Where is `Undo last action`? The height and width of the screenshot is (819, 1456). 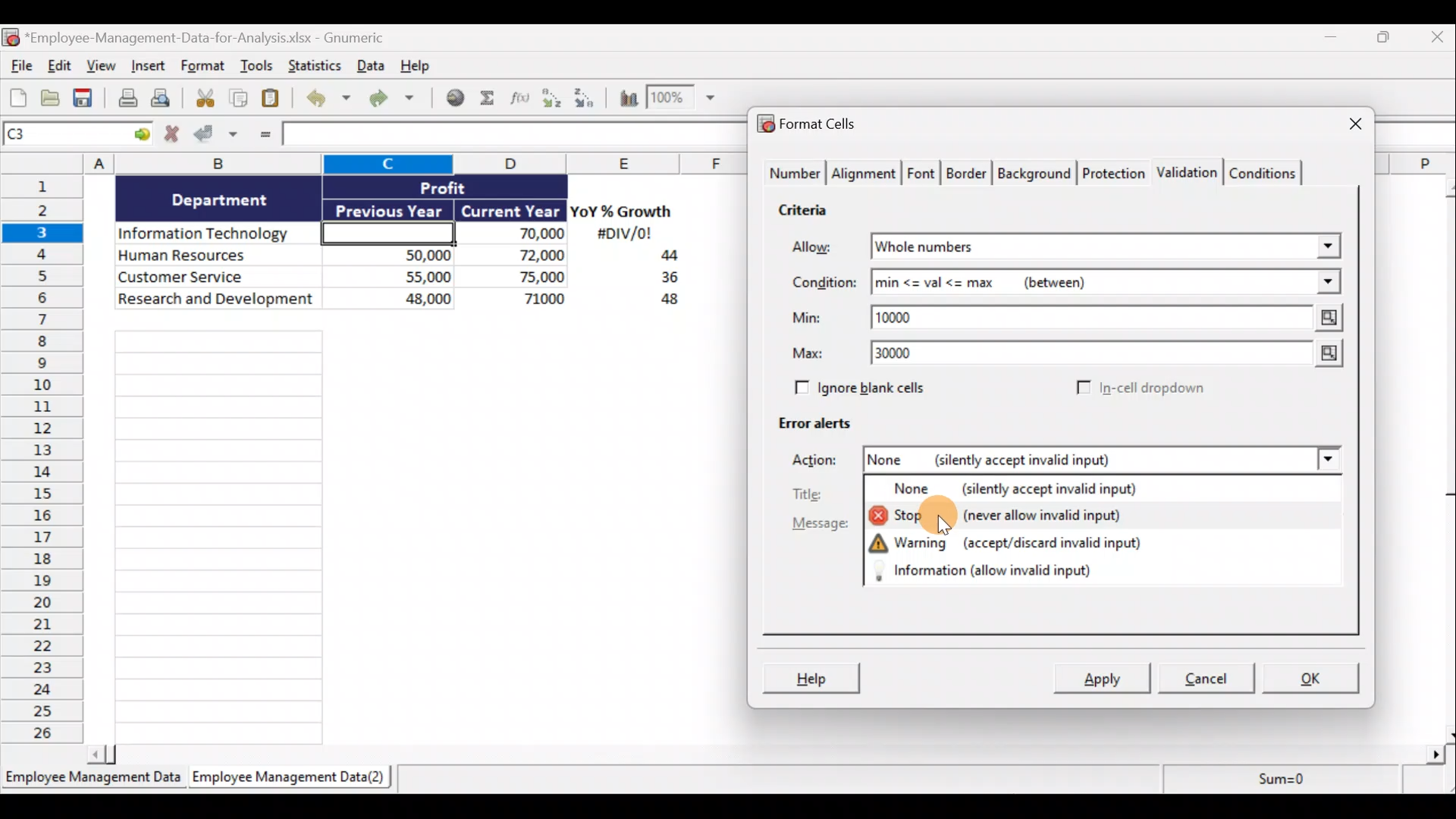 Undo last action is located at coordinates (331, 99).